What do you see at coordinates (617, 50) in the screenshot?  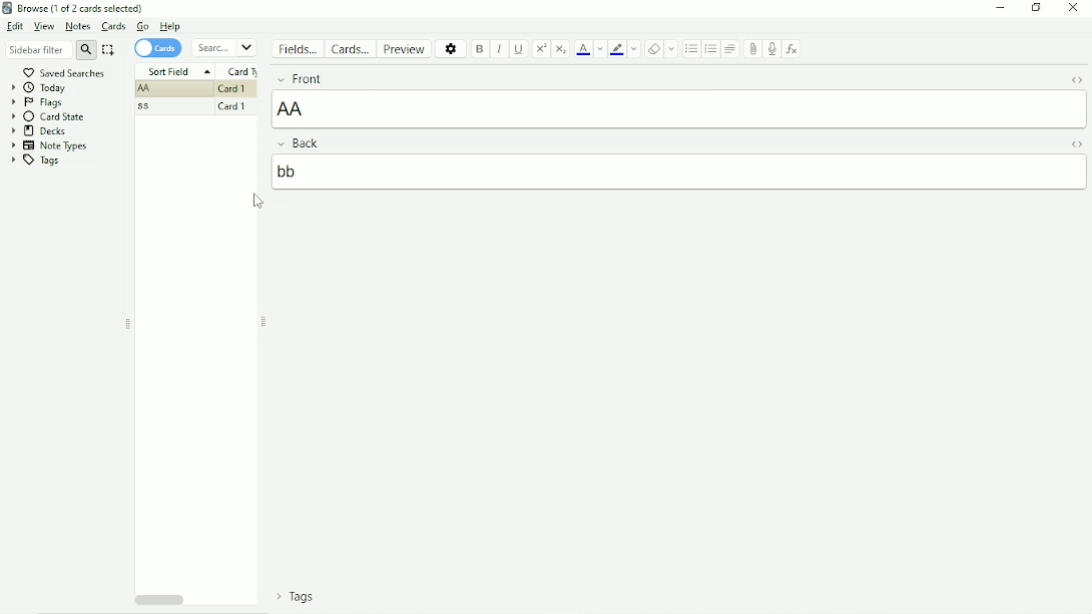 I see `Text highlight color` at bounding box center [617, 50].